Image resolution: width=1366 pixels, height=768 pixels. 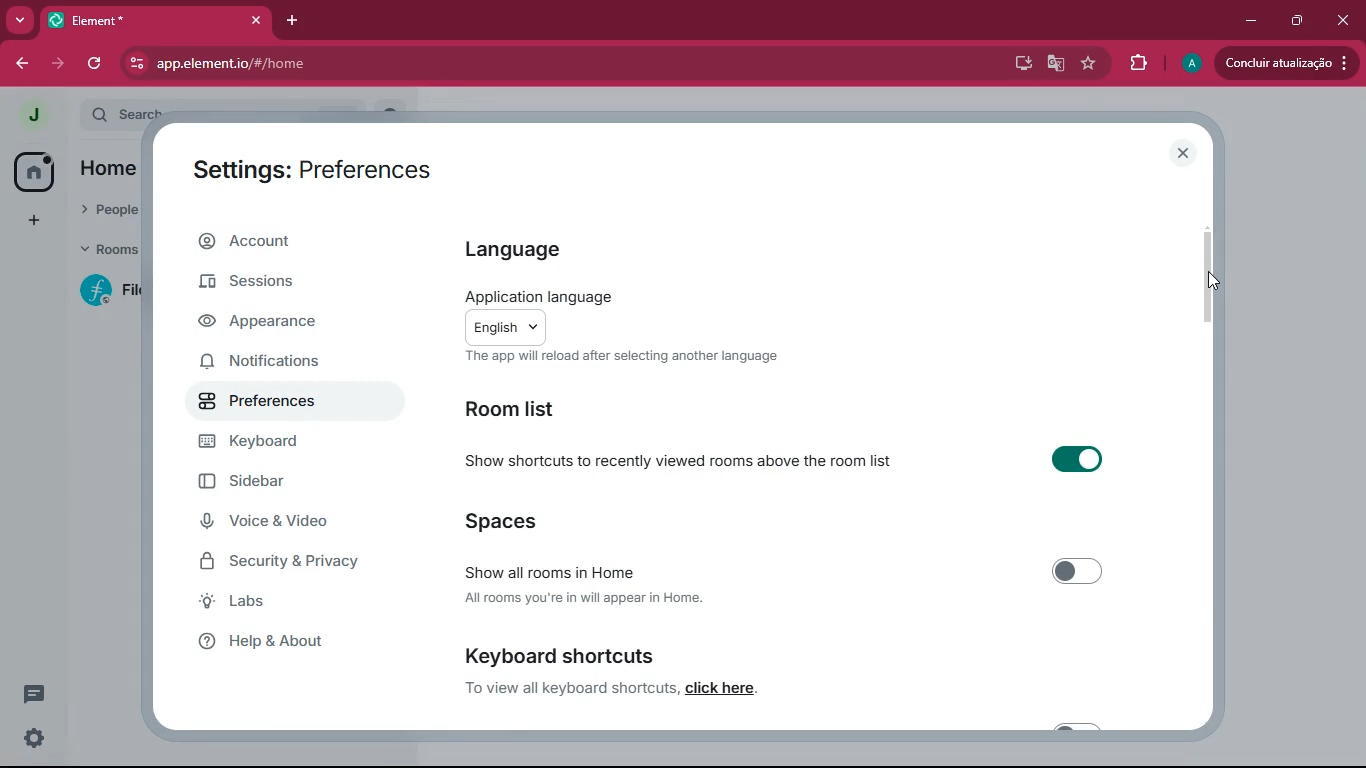 I want to click on security & Privacy, so click(x=310, y=563).